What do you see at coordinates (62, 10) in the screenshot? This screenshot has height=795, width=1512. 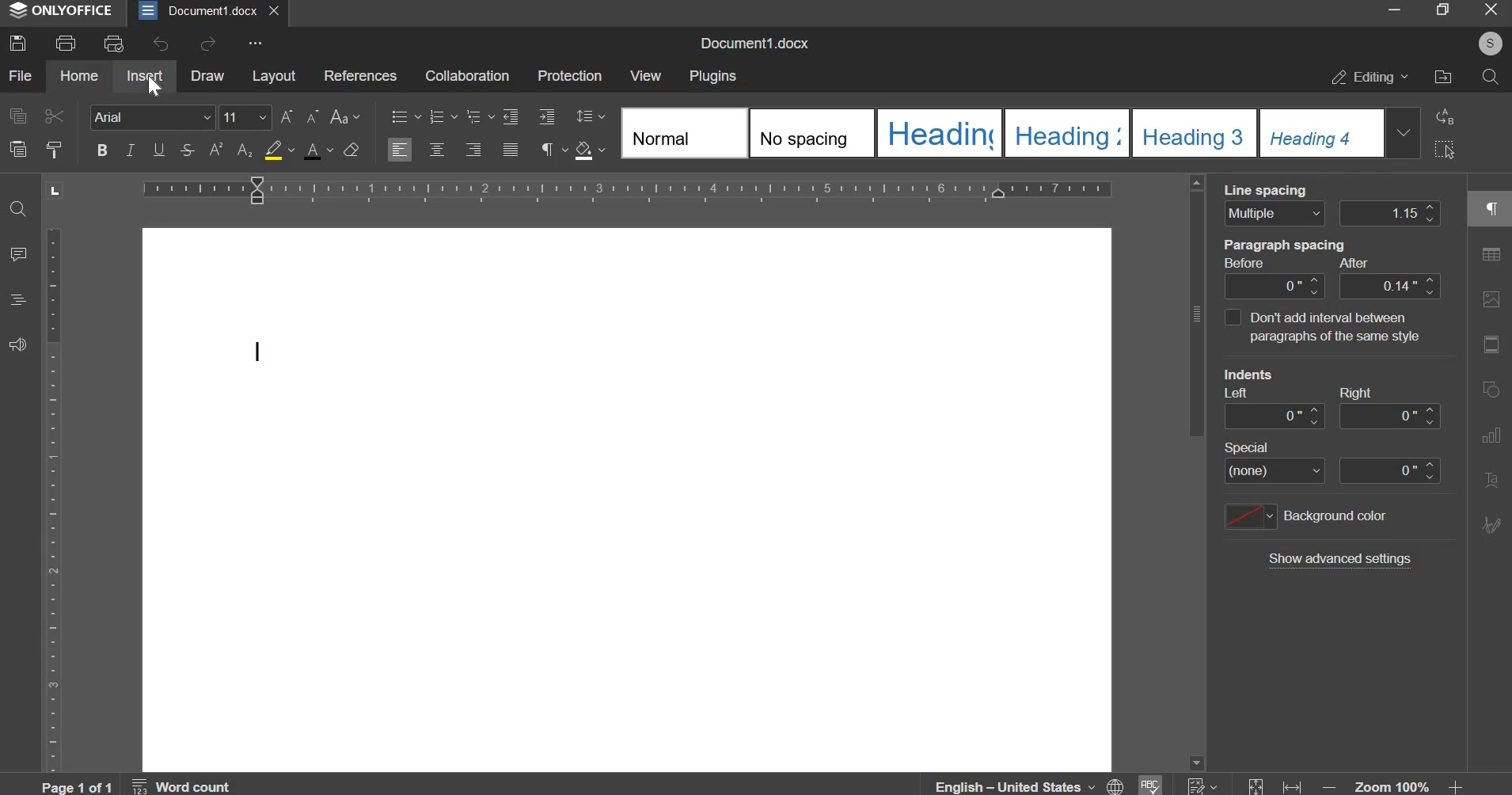 I see `onlyoffice` at bounding box center [62, 10].